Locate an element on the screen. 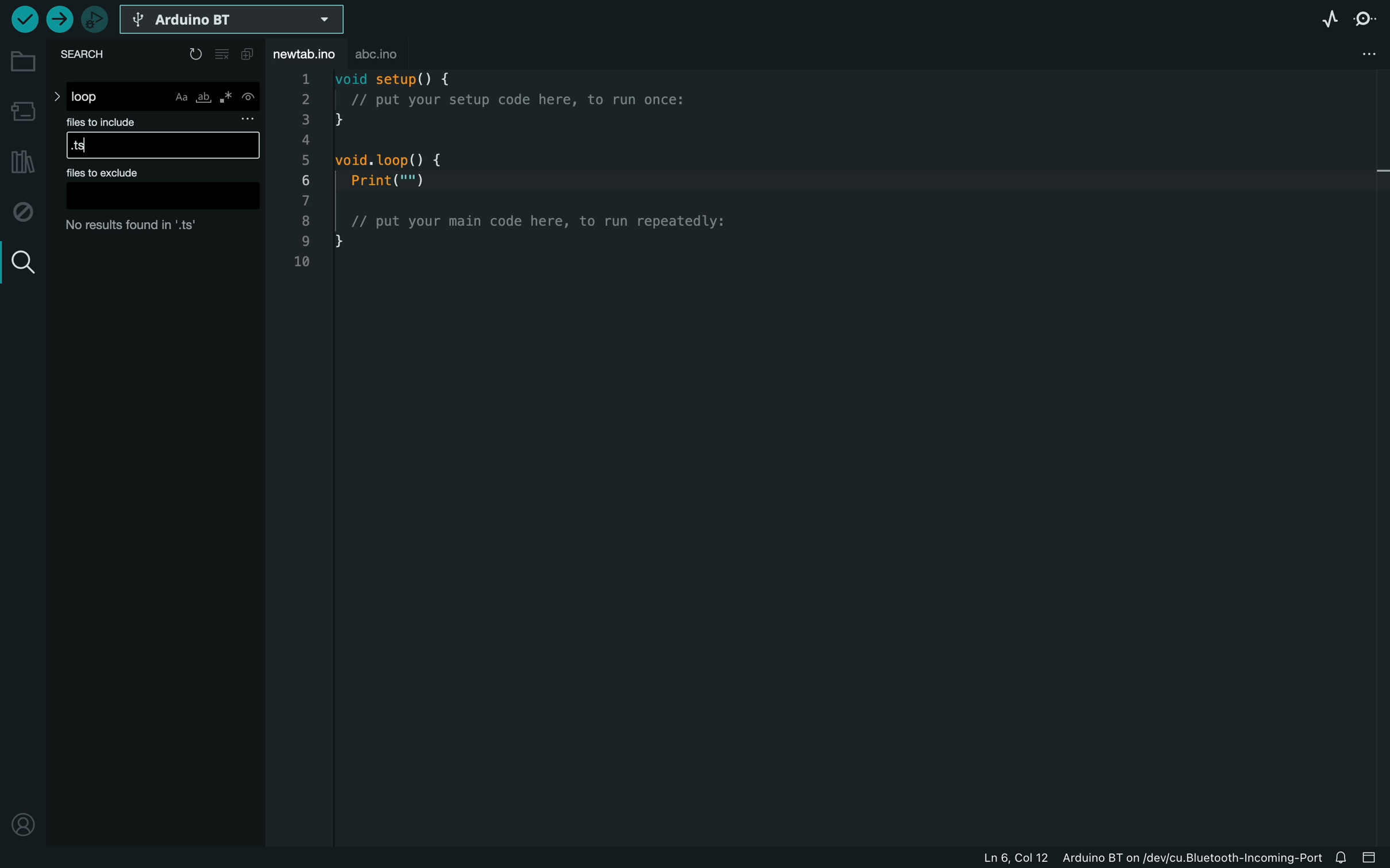 The image size is (1390, 868). serial monitor is located at coordinates (1369, 16).